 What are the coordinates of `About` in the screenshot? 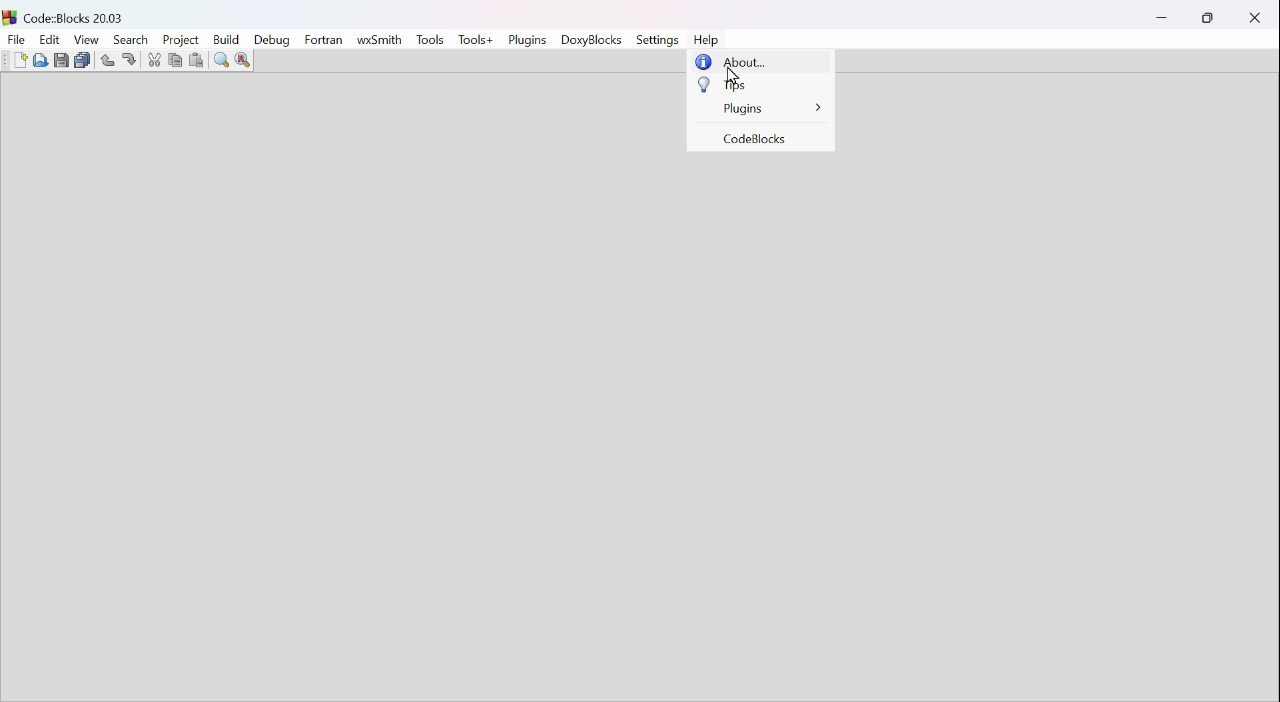 It's located at (746, 62).